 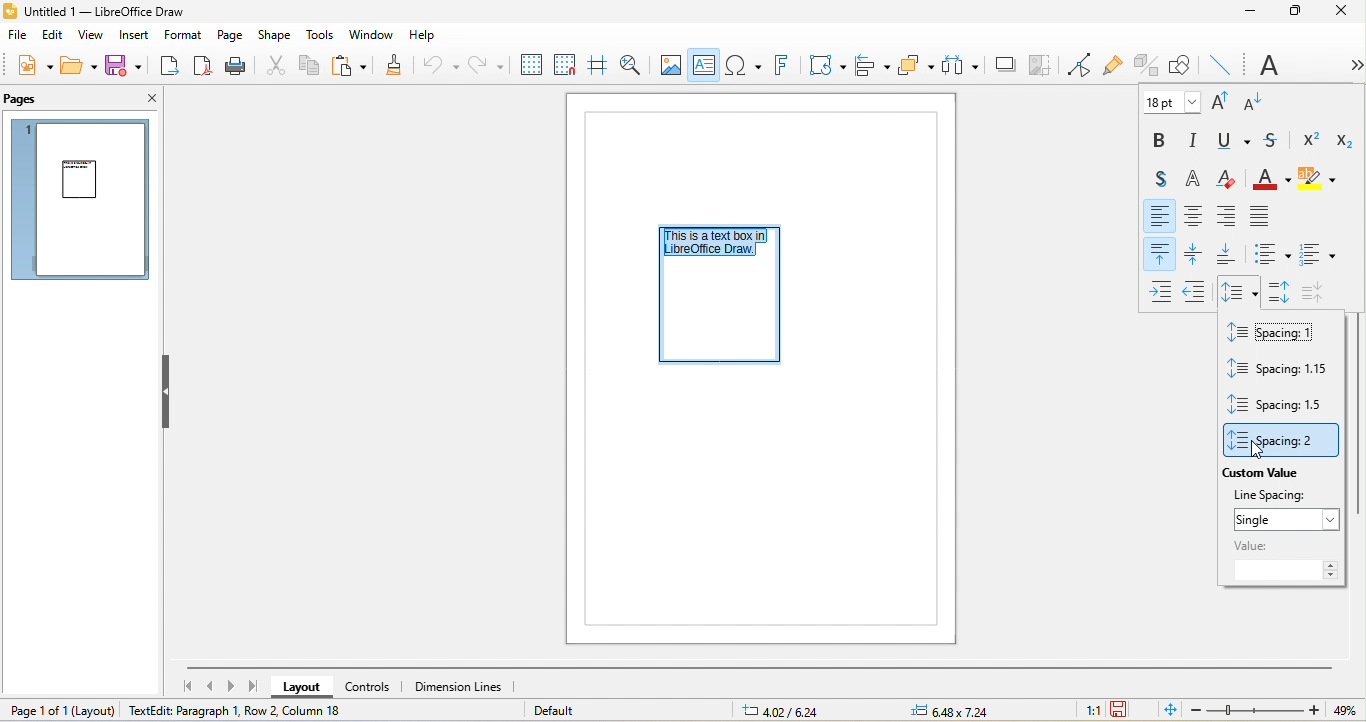 I want to click on snap to grid, so click(x=563, y=66).